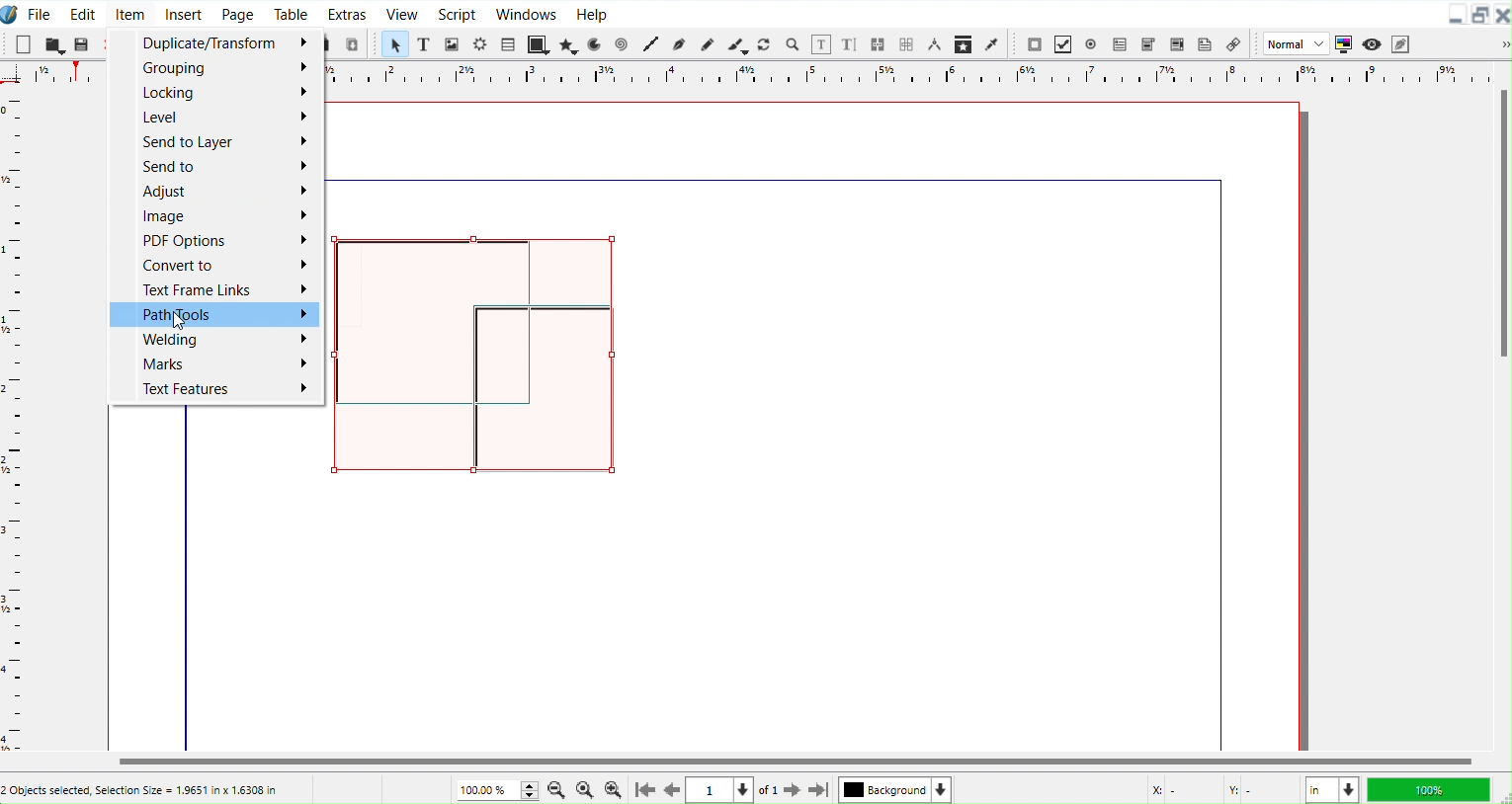 This screenshot has height=804, width=1512. Describe the element at coordinates (936, 45) in the screenshot. I see `Measurements` at that location.